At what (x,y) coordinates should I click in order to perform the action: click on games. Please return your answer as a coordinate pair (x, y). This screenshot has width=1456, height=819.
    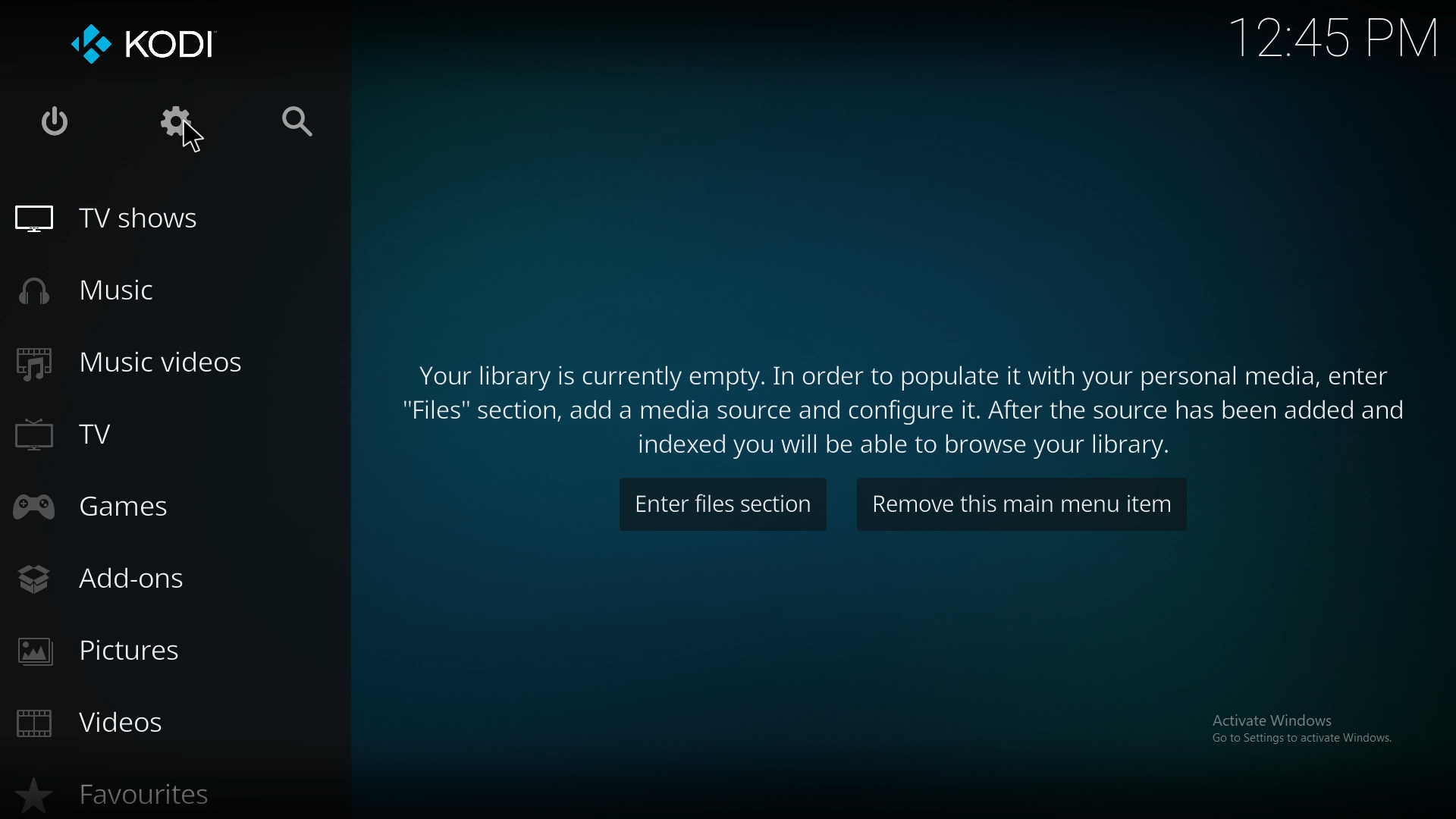
    Looking at the image, I should click on (116, 507).